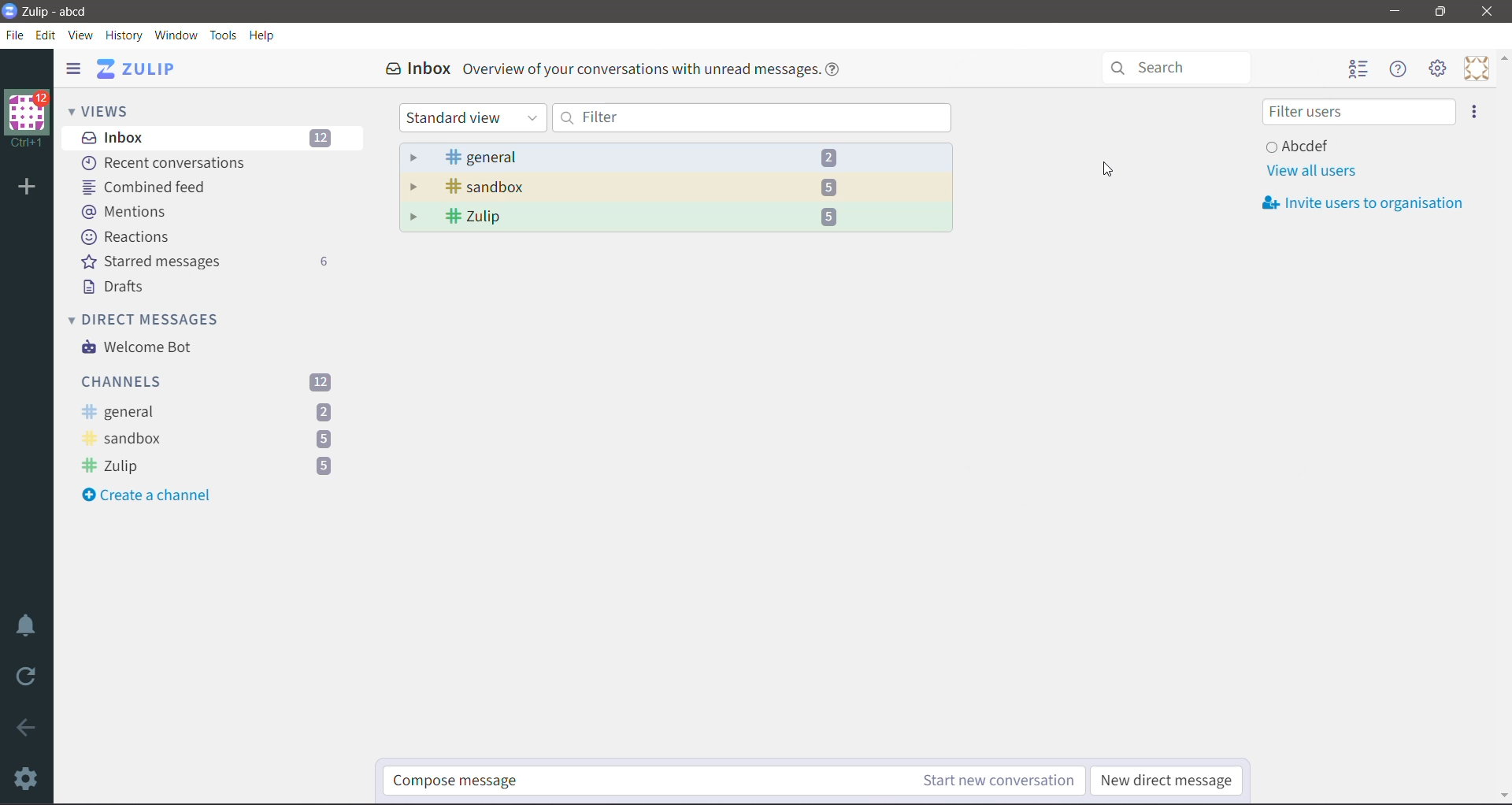  Describe the element at coordinates (46, 34) in the screenshot. I see `Edit` at that location.